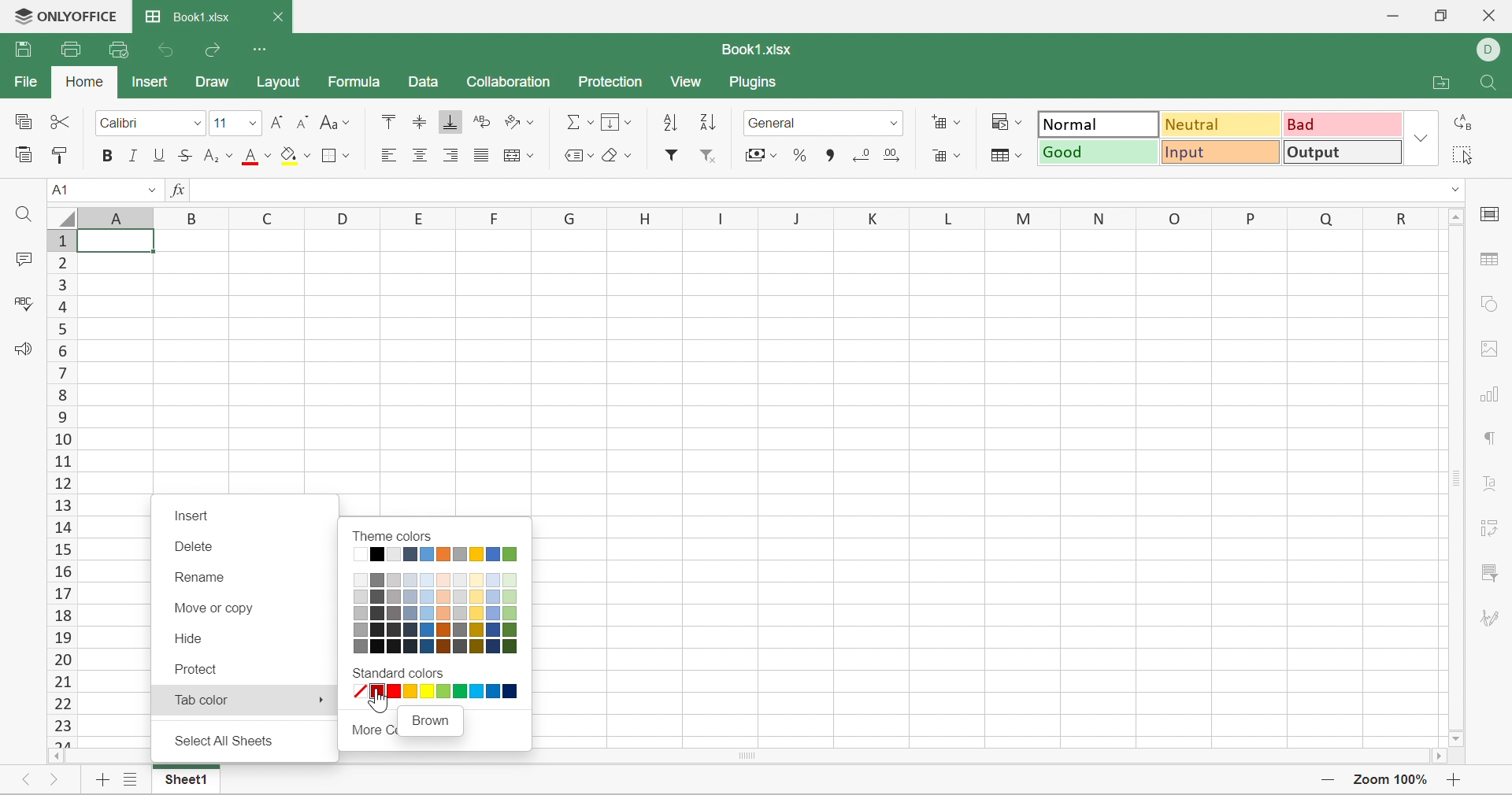  I want to click on Standard colors, so click(393, 674).